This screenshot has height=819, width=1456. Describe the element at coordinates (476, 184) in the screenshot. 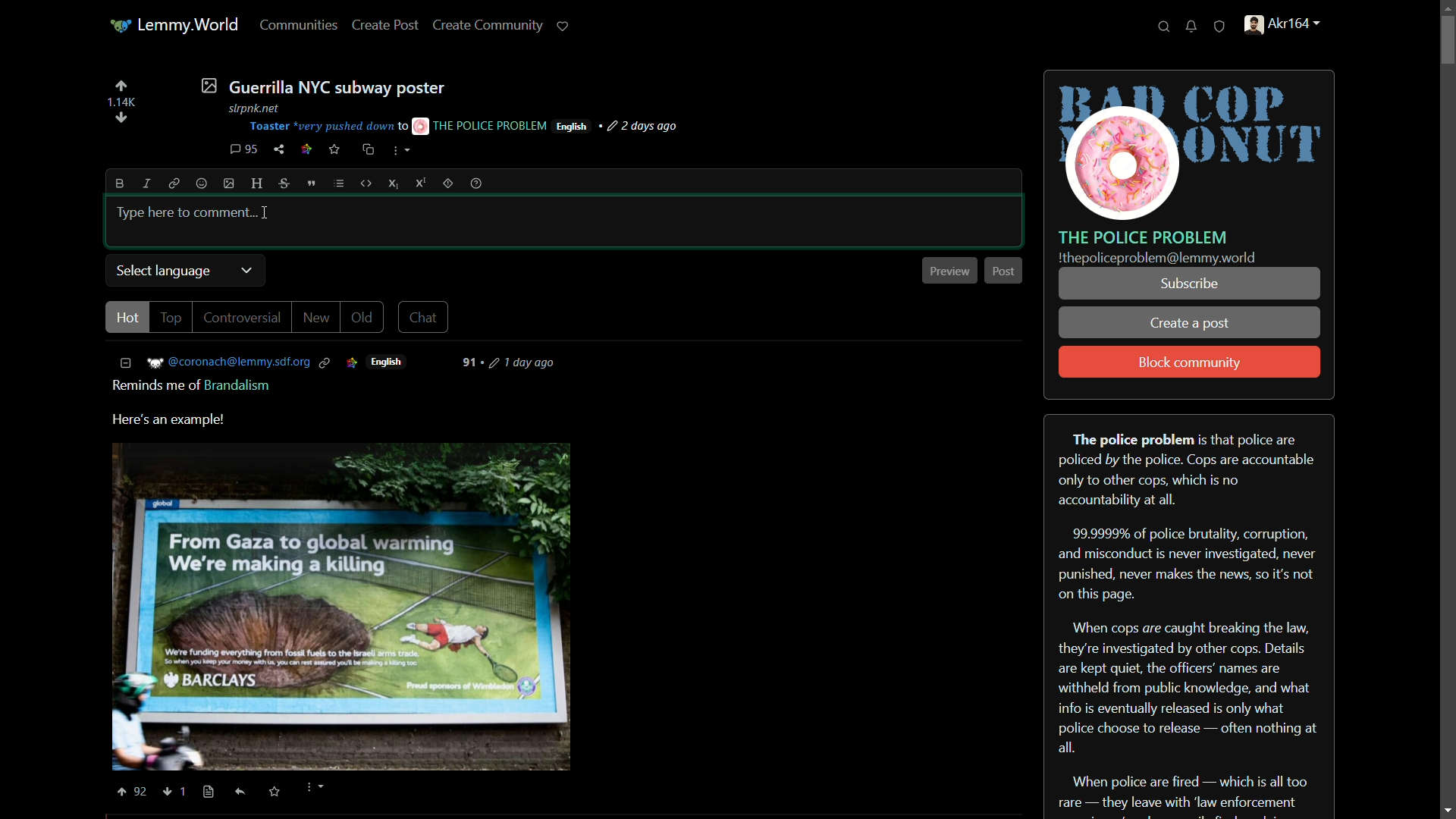

I see `help` at that location.